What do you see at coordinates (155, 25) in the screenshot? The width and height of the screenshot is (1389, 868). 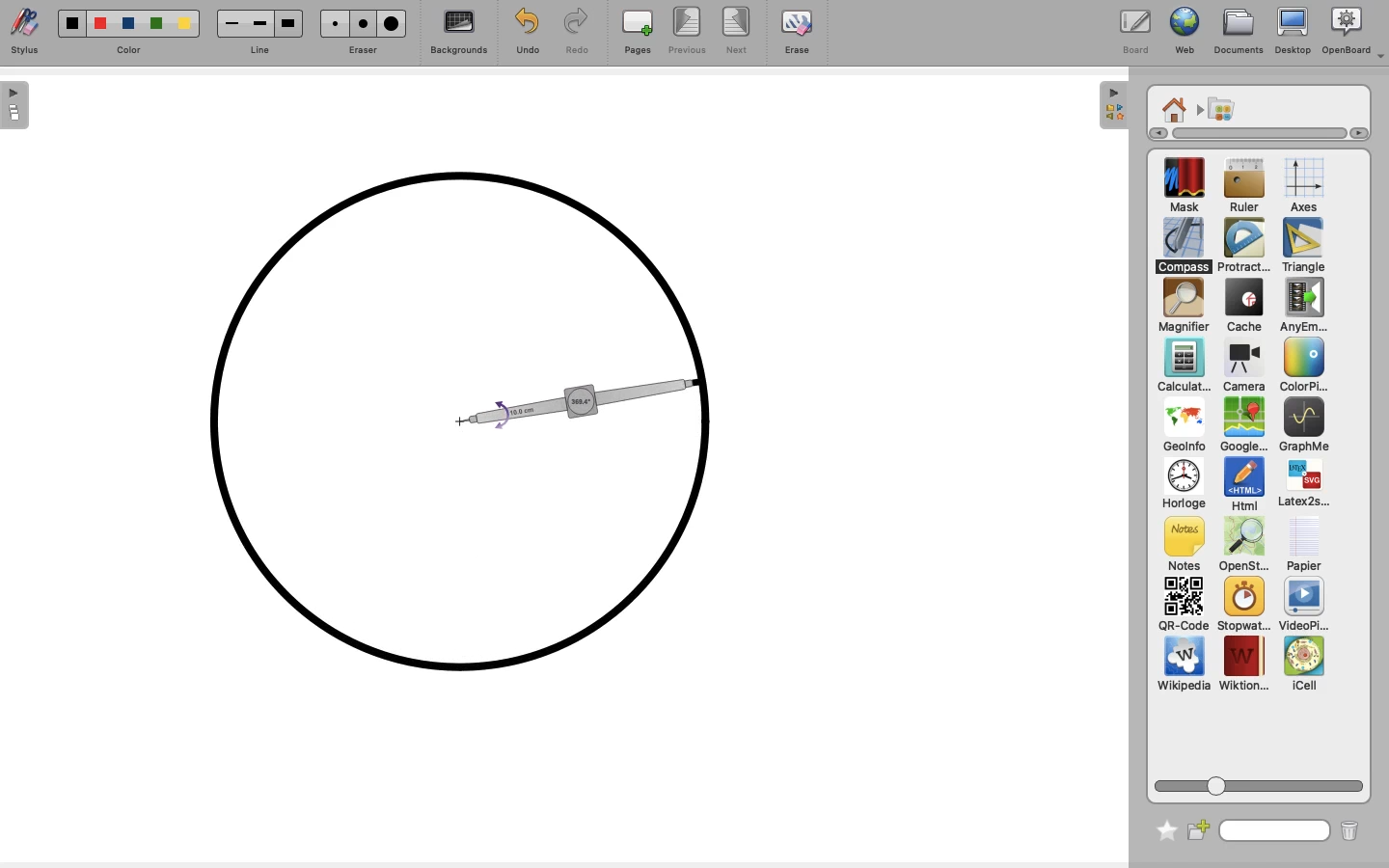 I see `color 4` at bounding box center [155, 25].